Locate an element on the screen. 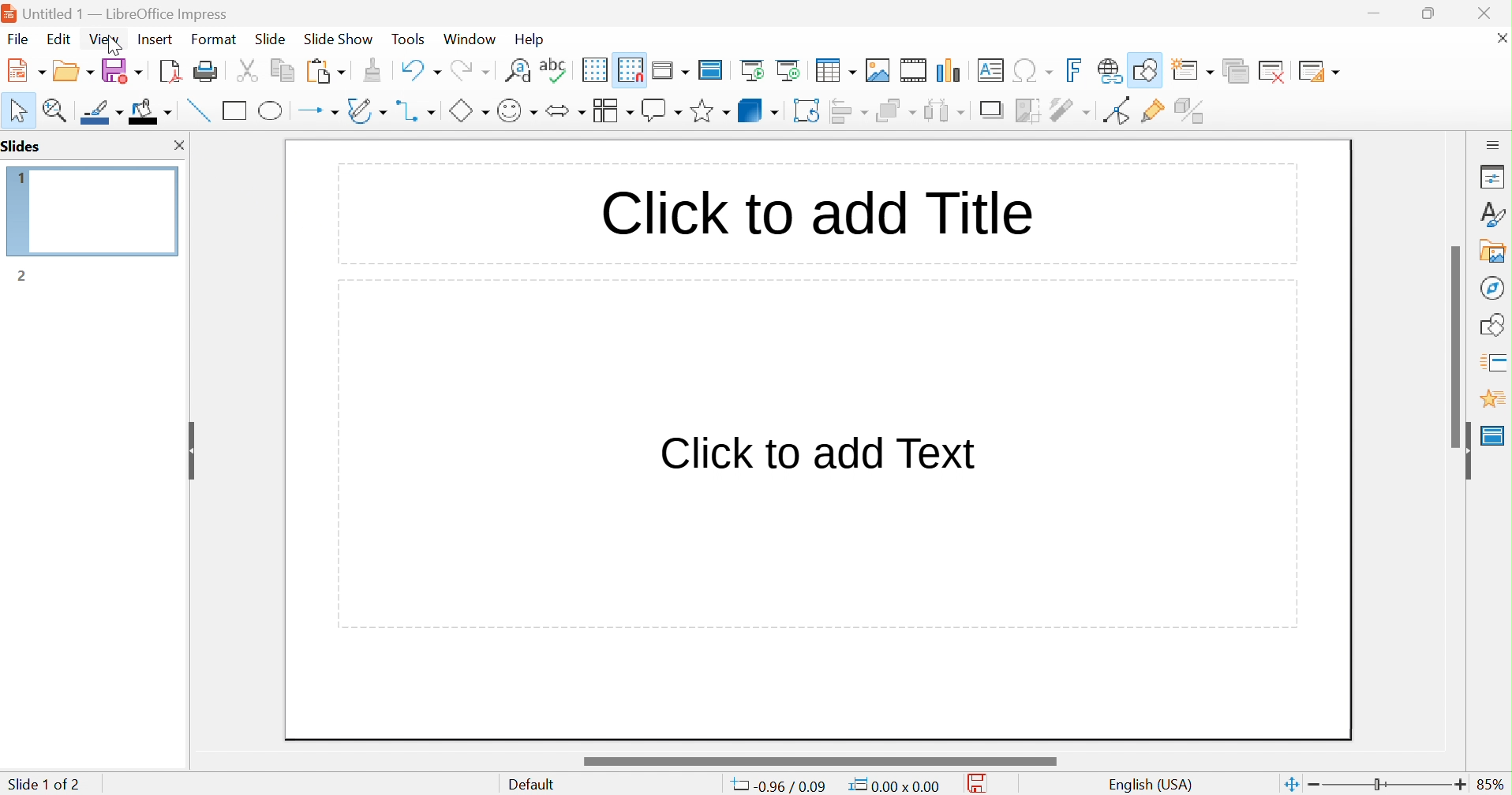 The width and height of the screenshot is (1512, 795). english(USA) is located at coordinates (1151, 785).